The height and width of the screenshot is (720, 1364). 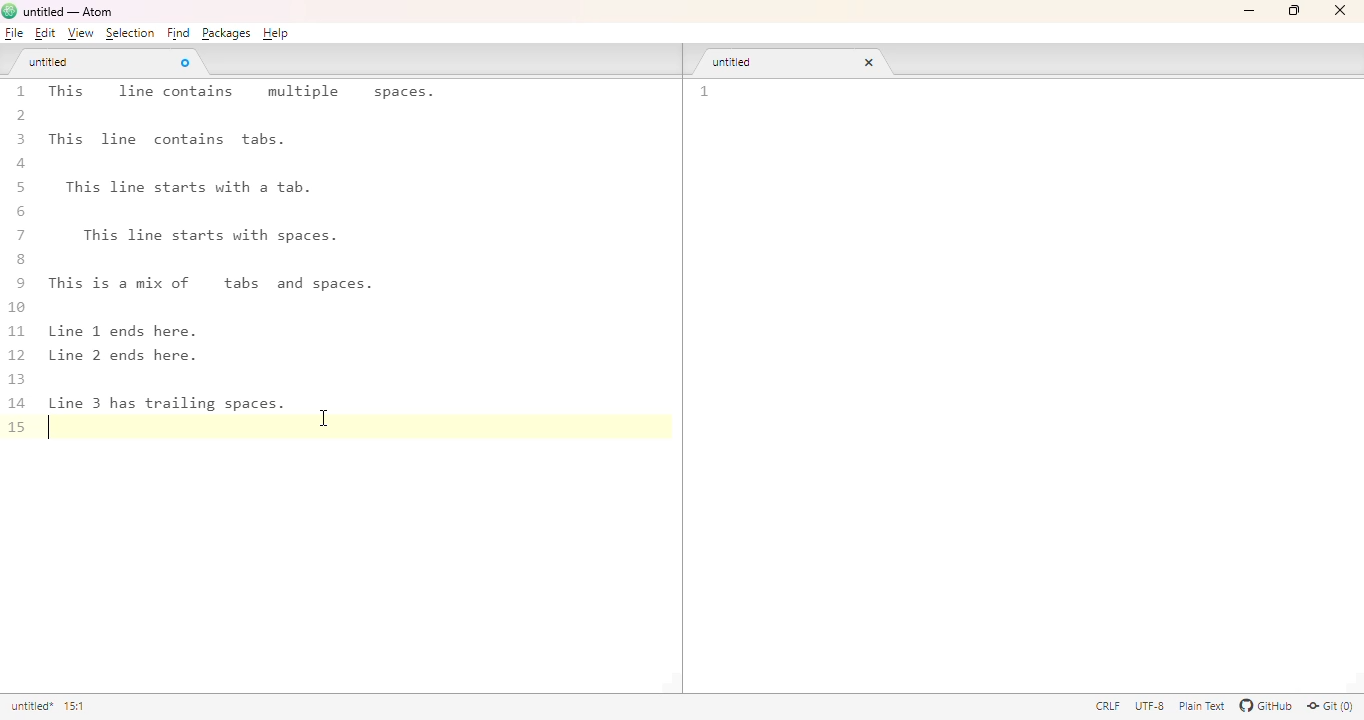 What do you see at coordinates (14, 33) in the screenshot?
I see `file` at bounding box center [14, 33].